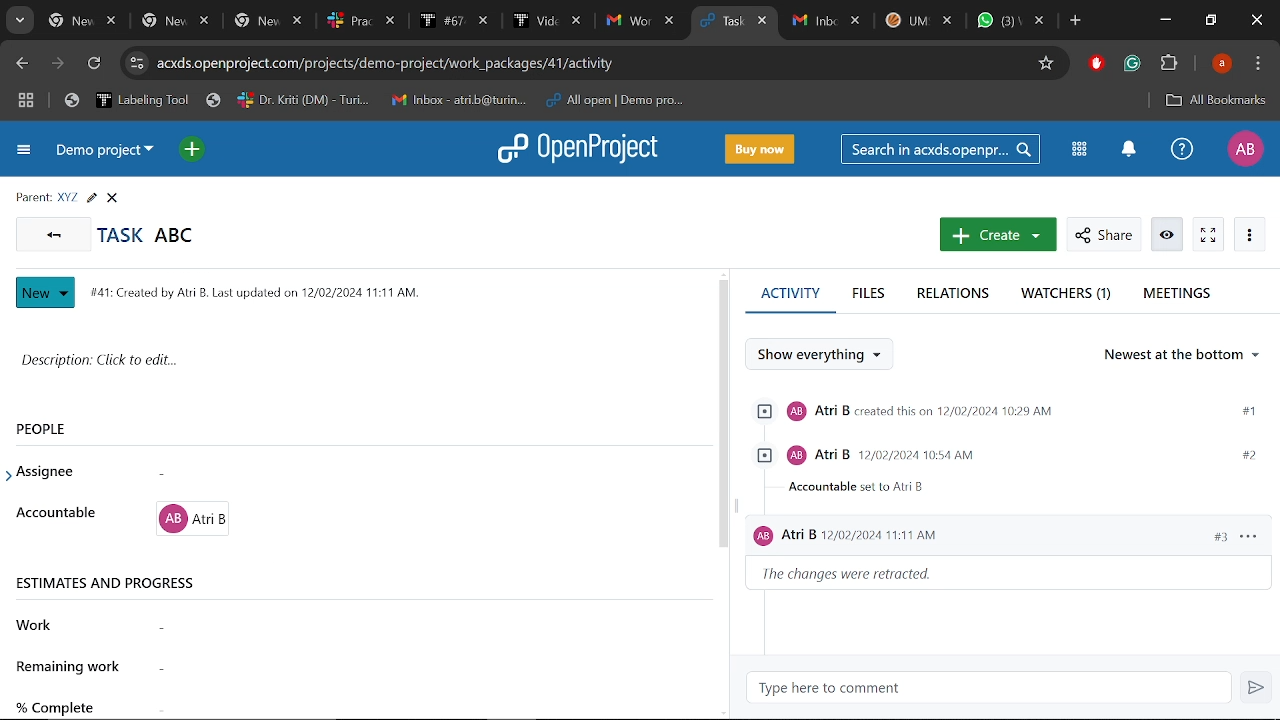 The height and width of the screenshot is (720, 1280). I want to click on Task name, so click(146, 235).